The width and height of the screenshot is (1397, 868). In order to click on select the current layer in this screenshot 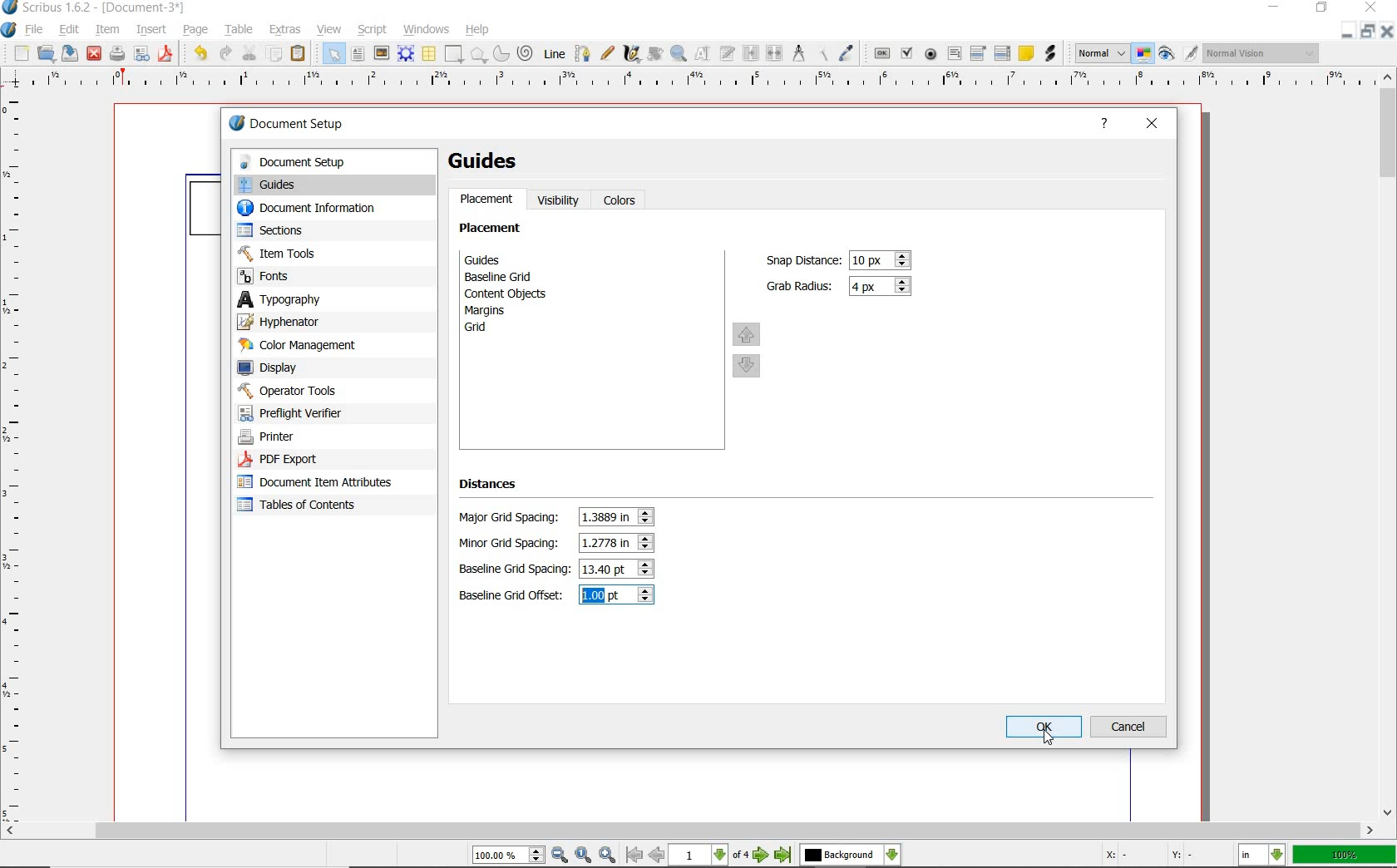, I will do `click(851, 856)`.